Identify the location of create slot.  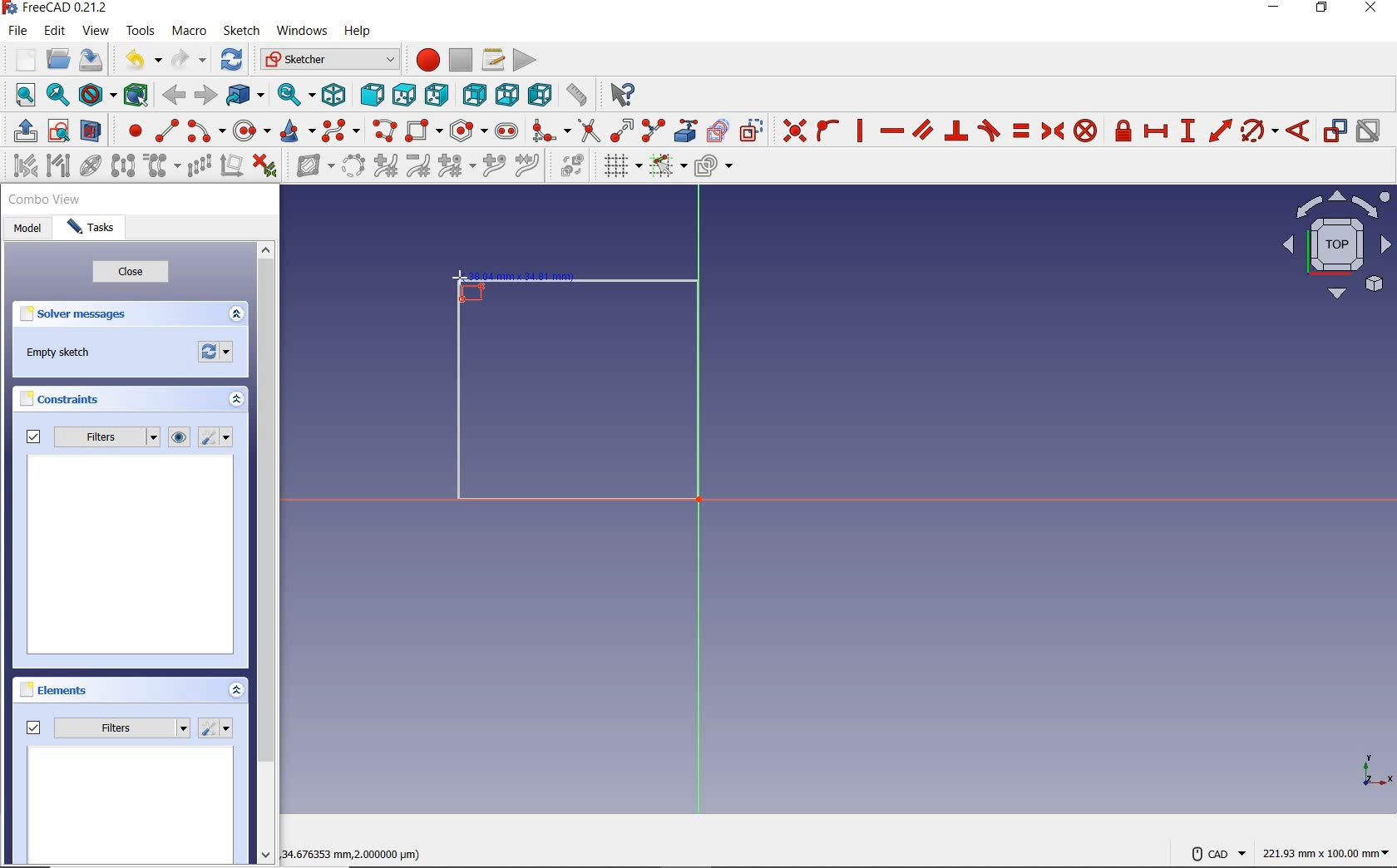
(507, 132).